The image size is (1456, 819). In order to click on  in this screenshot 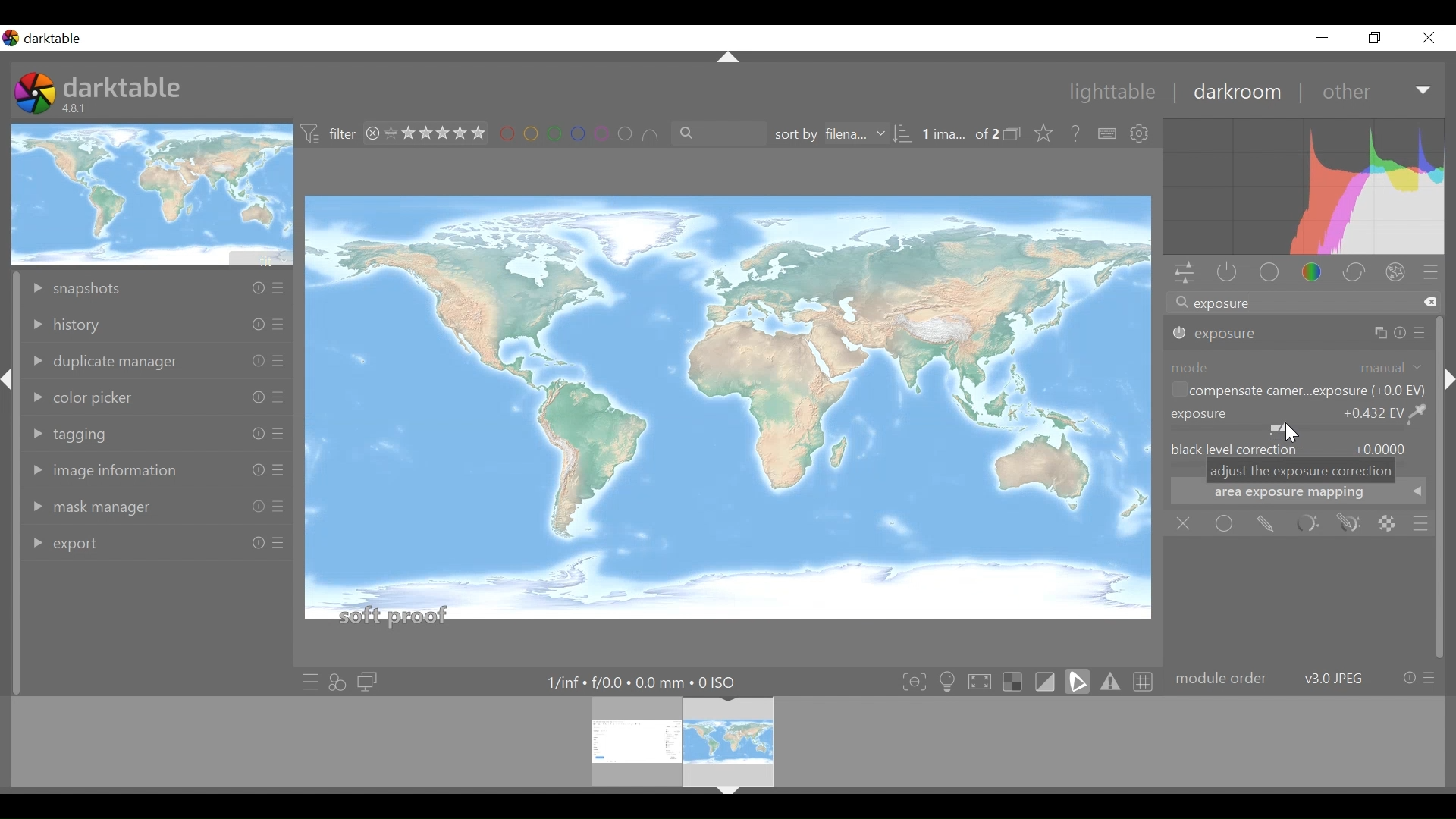, I will do `click(1388, 334)`.